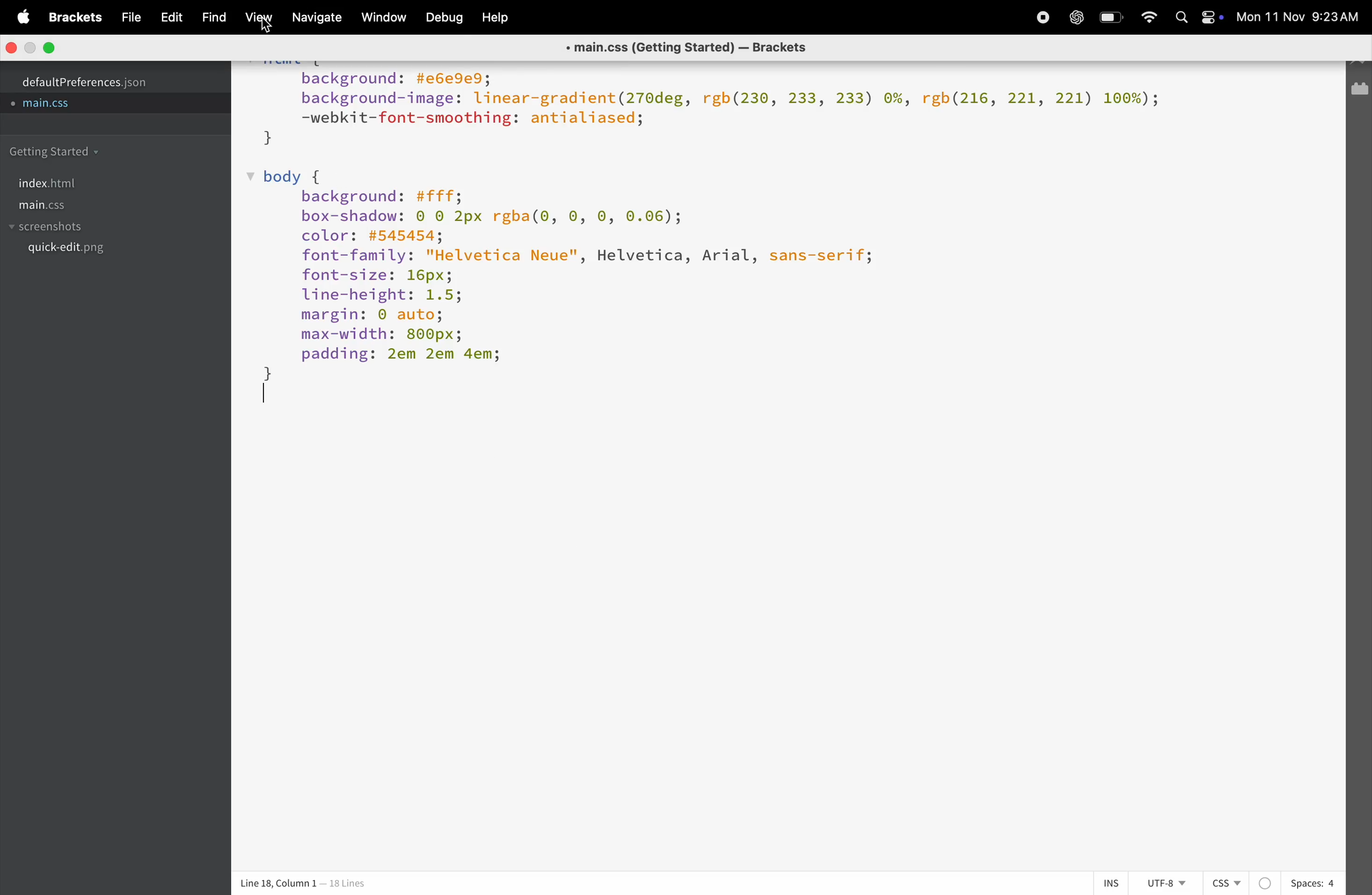  What do you see at coordinates (47, 183) in the screenshot?
I see `index.html` at bounding box center [47, 183].